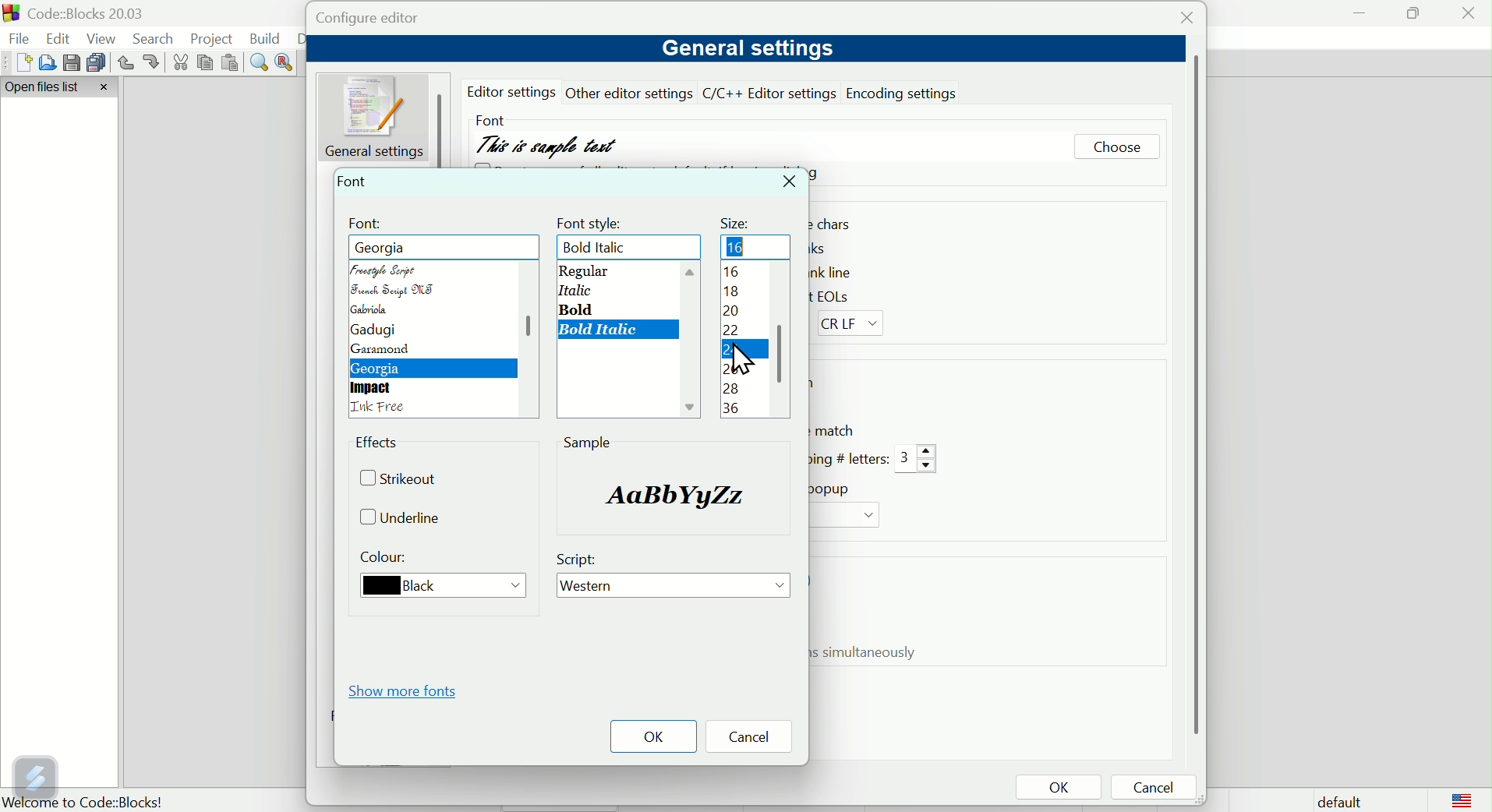 The height and width of the screenshot is (812, 1492). Describe the element at coordinates (730, 274) in the screenshot. I see `16` at that location.